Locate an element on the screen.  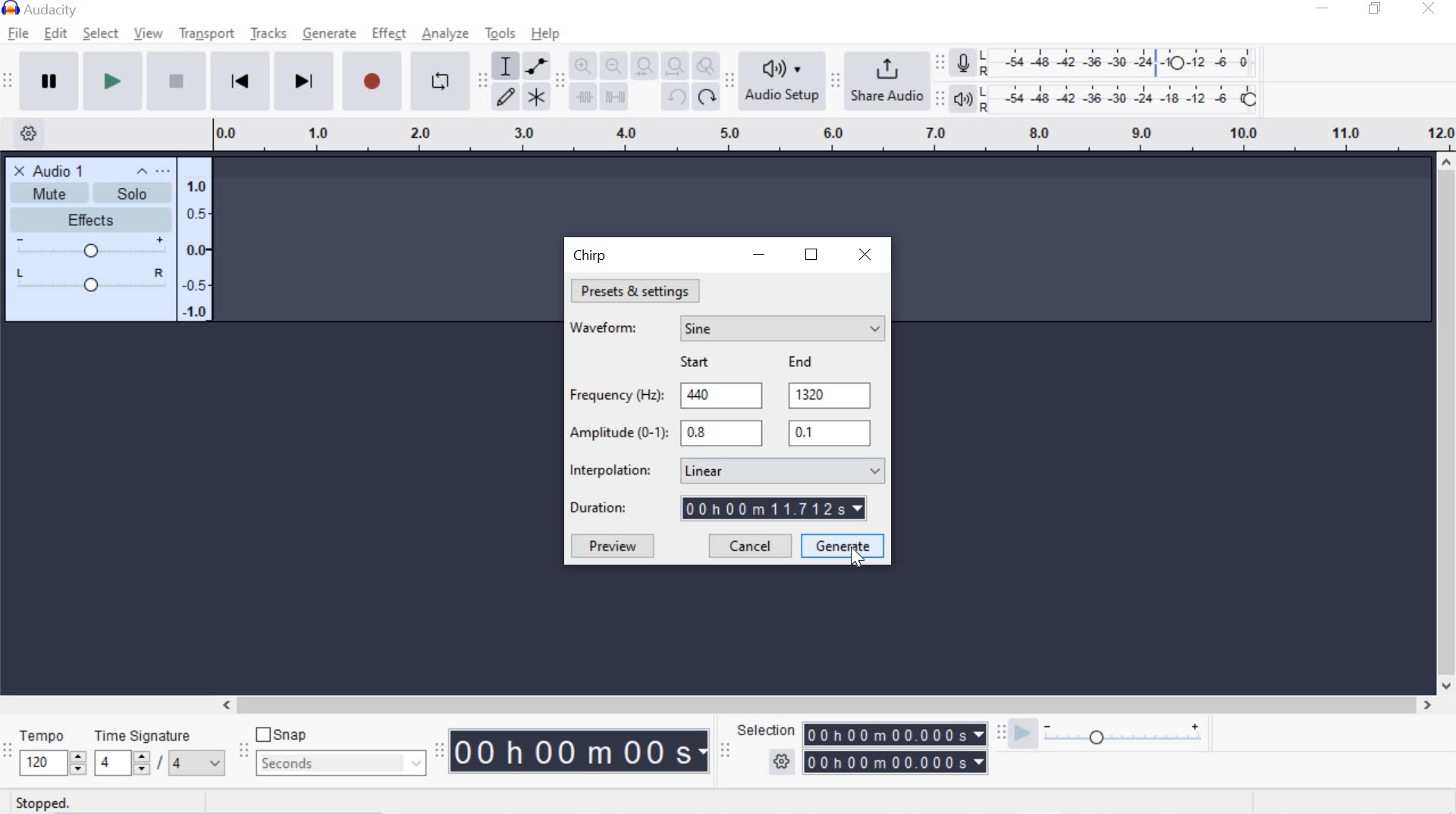
Play is located at coordinates (113, 80).